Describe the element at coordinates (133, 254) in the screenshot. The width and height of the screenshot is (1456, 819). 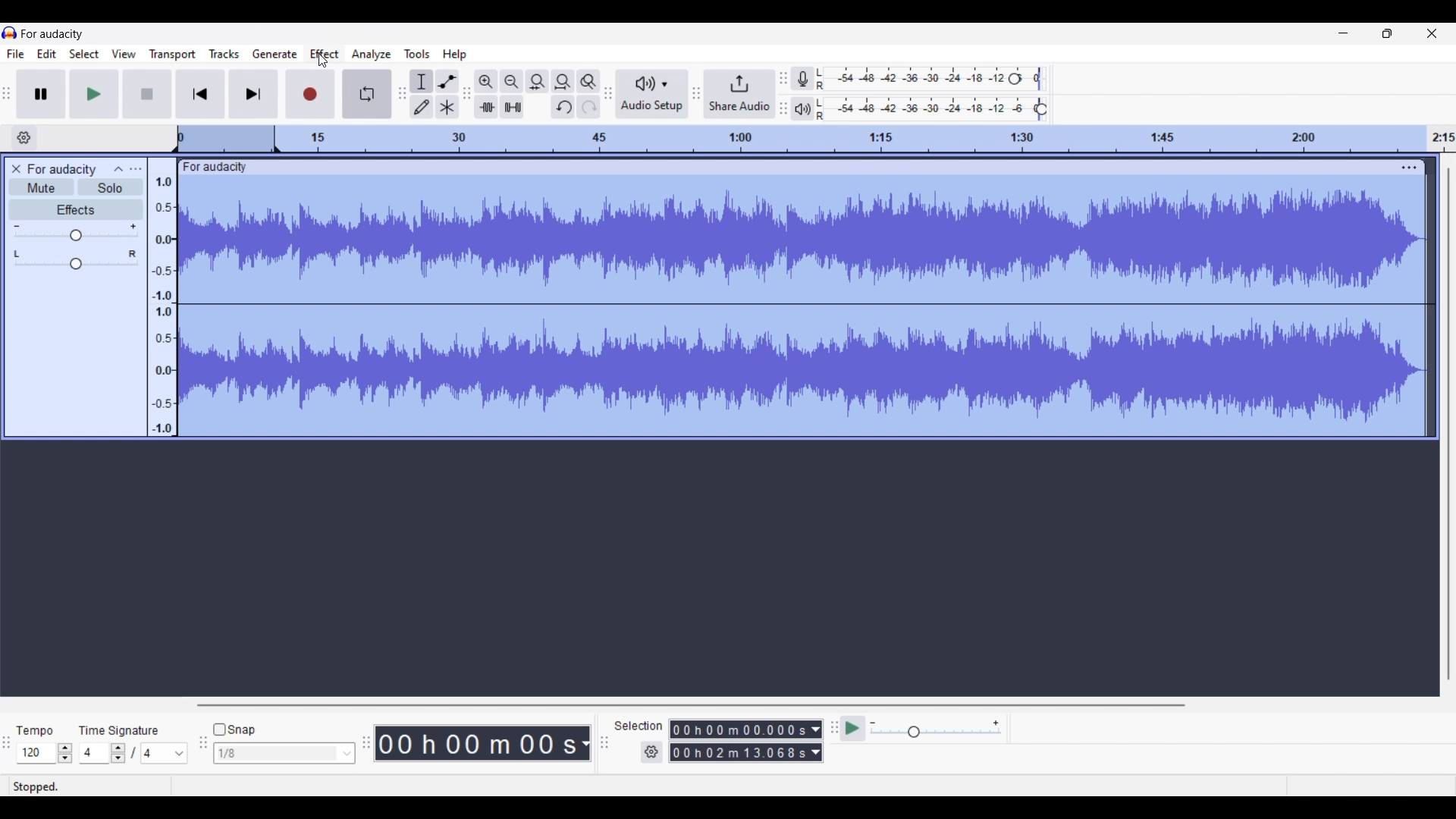
I see `Pan right` at that location.